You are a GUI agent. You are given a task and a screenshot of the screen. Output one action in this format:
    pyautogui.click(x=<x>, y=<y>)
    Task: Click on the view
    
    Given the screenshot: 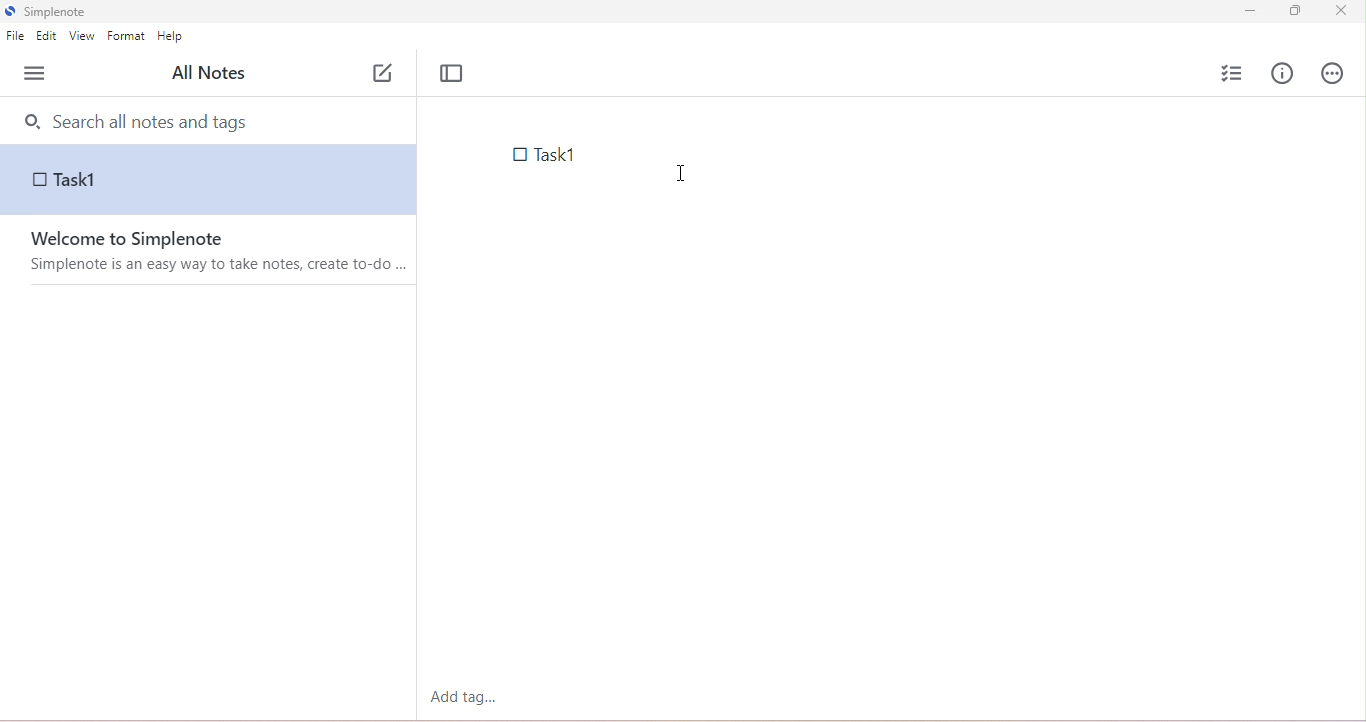 What is the action you would take?
    pyautogui.click(x=81, y=37)
    